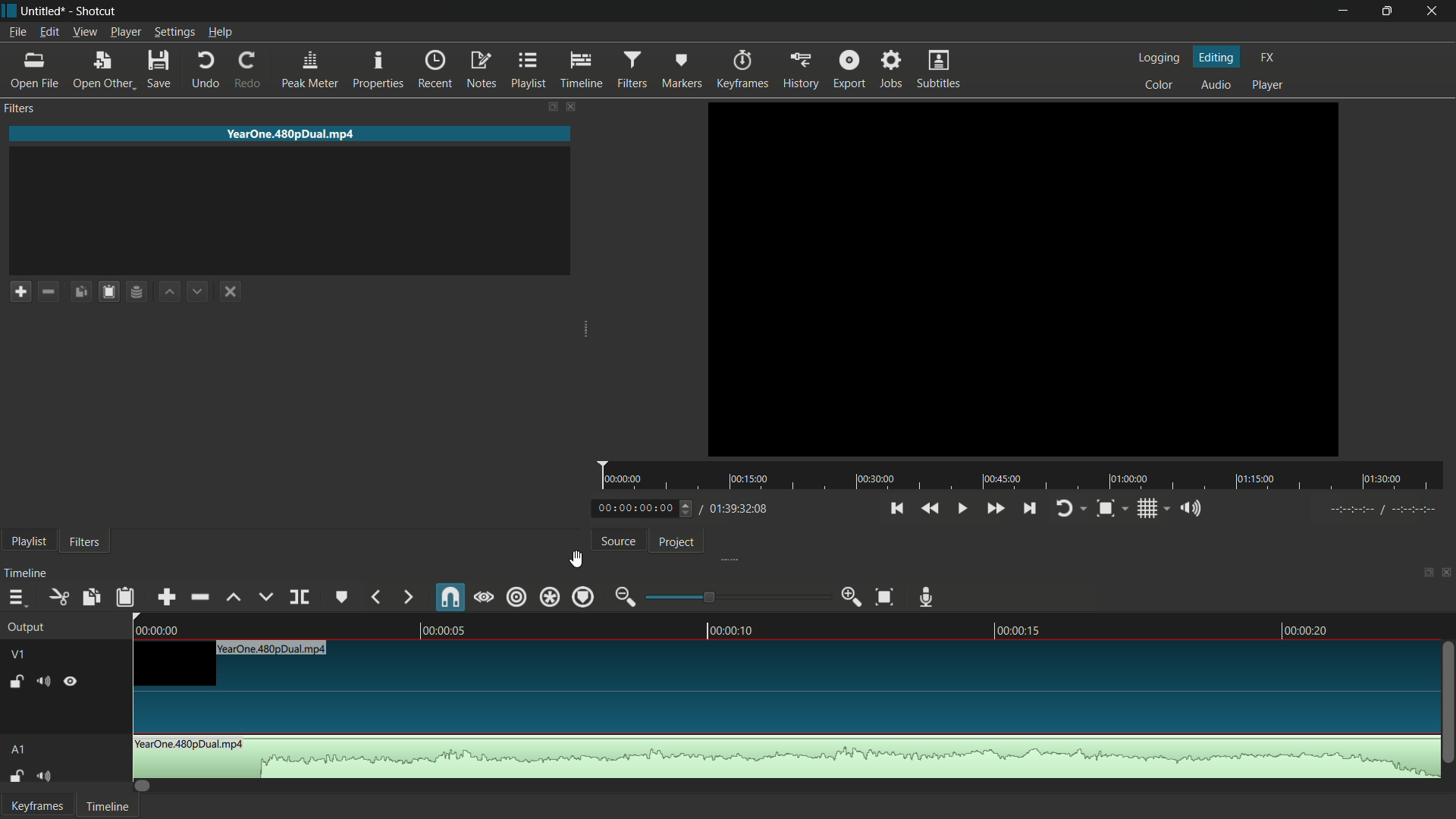 The image size is (1456, 819). I want to click on preview window, so click(1022, 278).